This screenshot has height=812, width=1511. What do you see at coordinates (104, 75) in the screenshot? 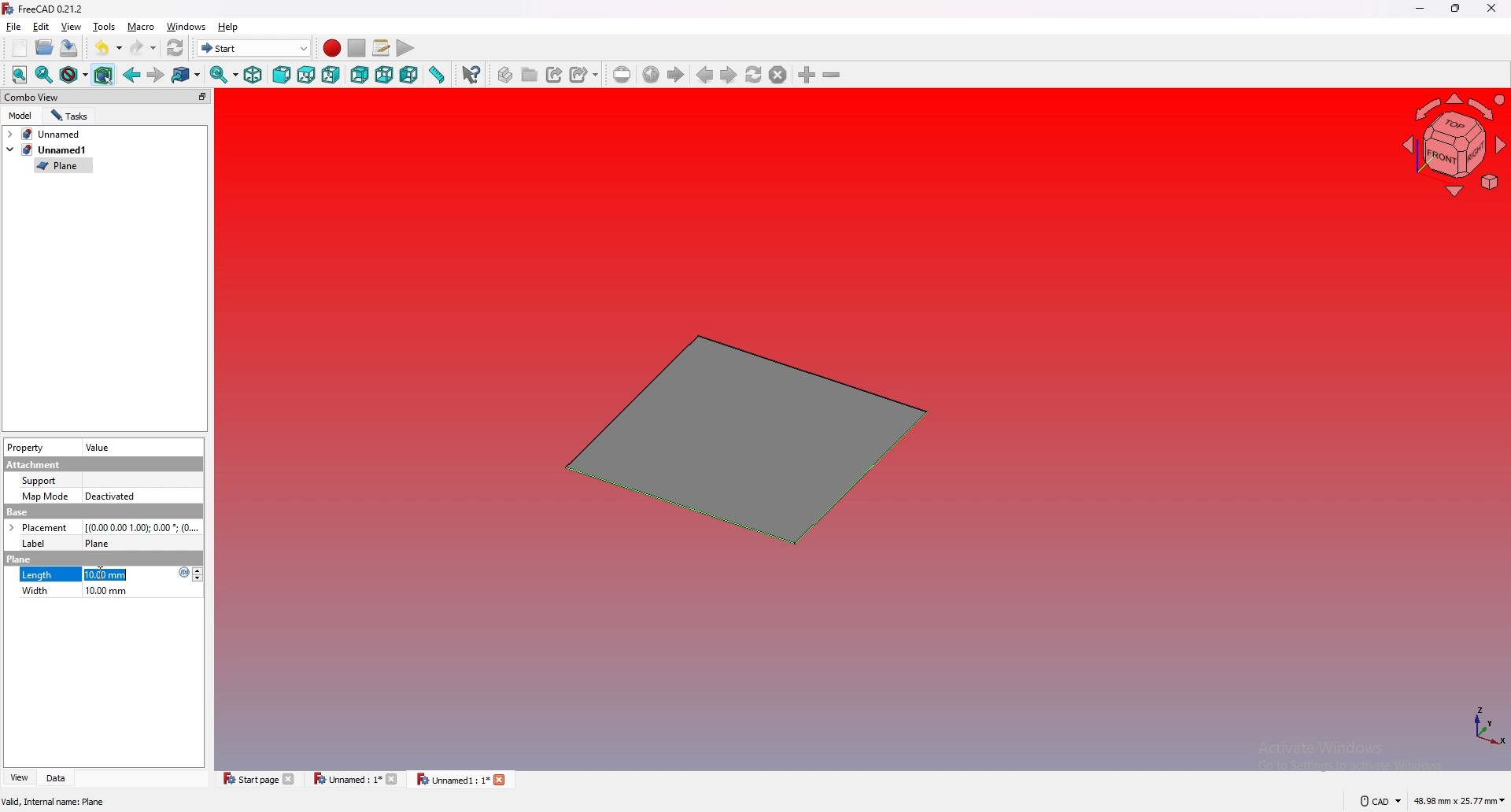
I see `bounding box` at bounding box center [104, 75].